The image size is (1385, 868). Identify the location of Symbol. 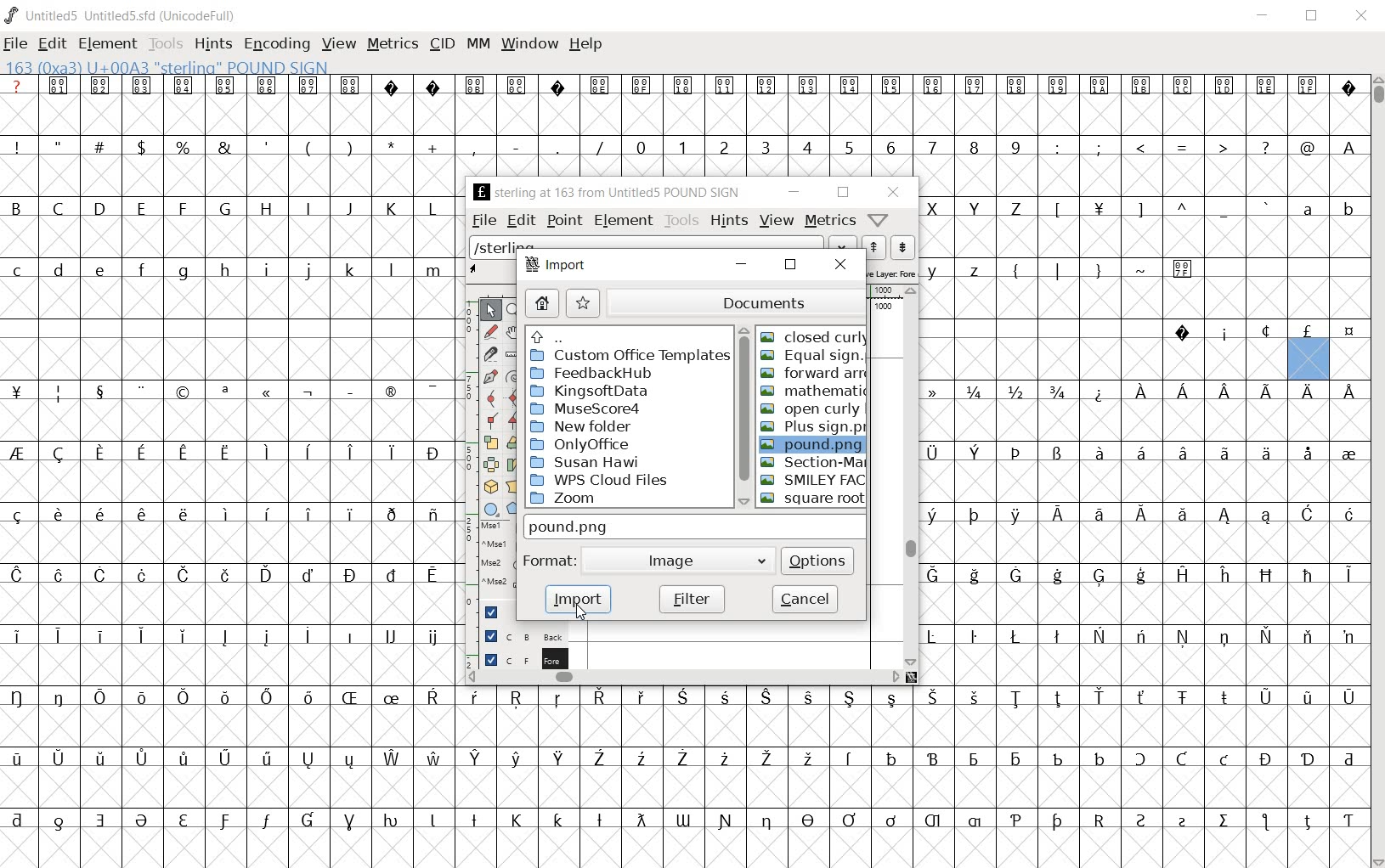
(1057, 576).